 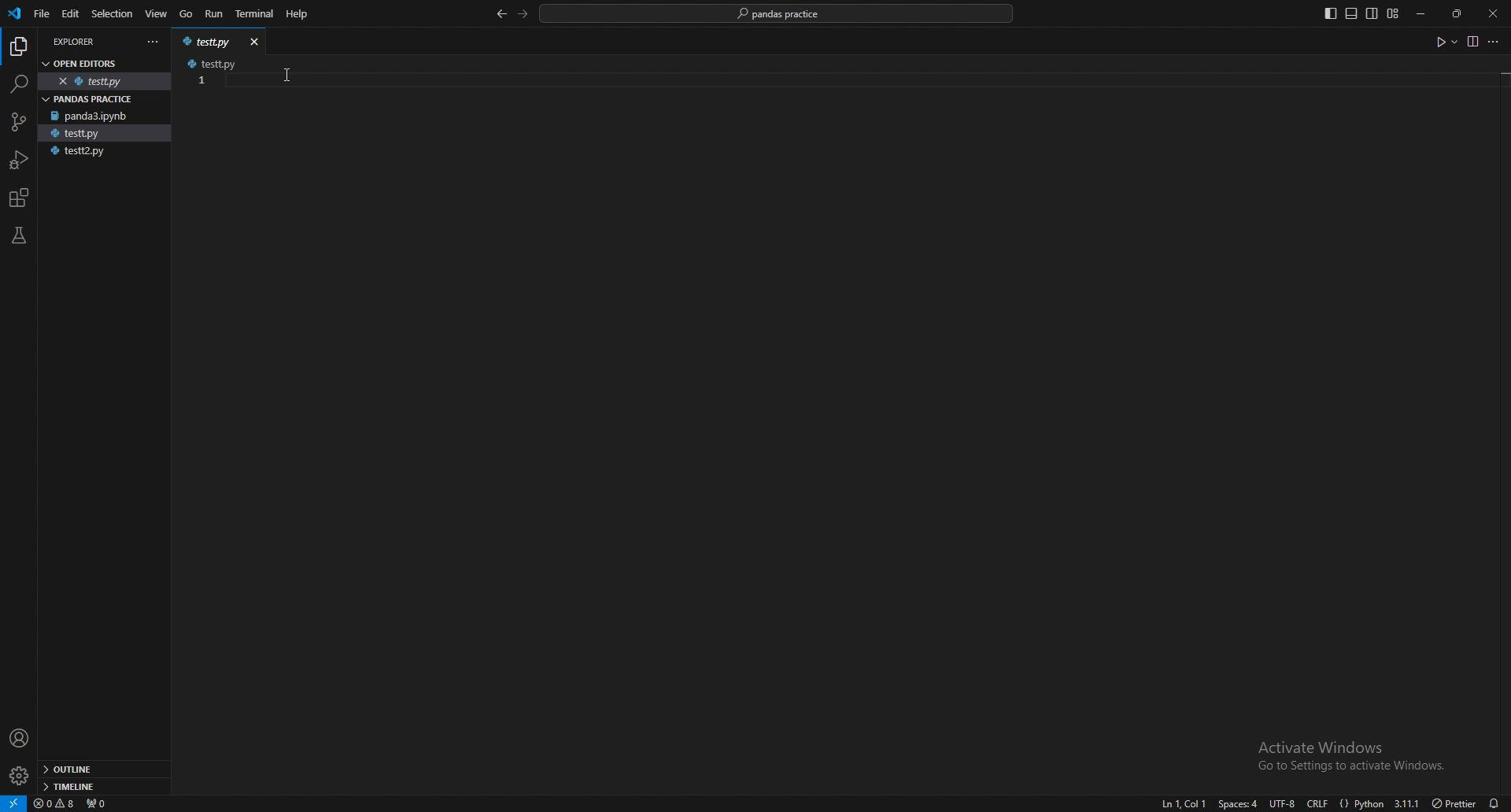 I want to click on forward, so click(x=523, y=13).